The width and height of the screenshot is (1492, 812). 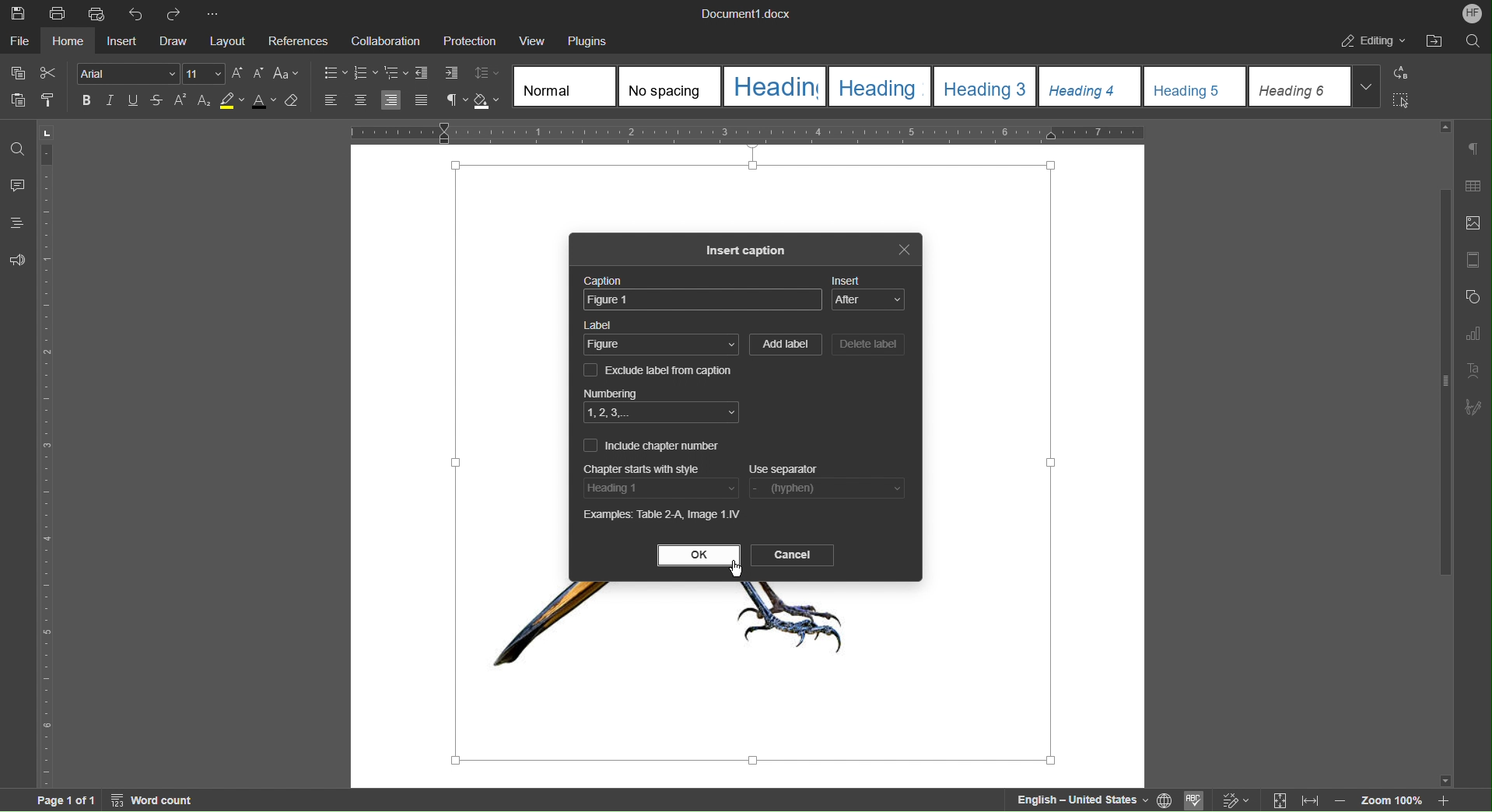 I want to click on Align Center, so click(x=360, y=101).